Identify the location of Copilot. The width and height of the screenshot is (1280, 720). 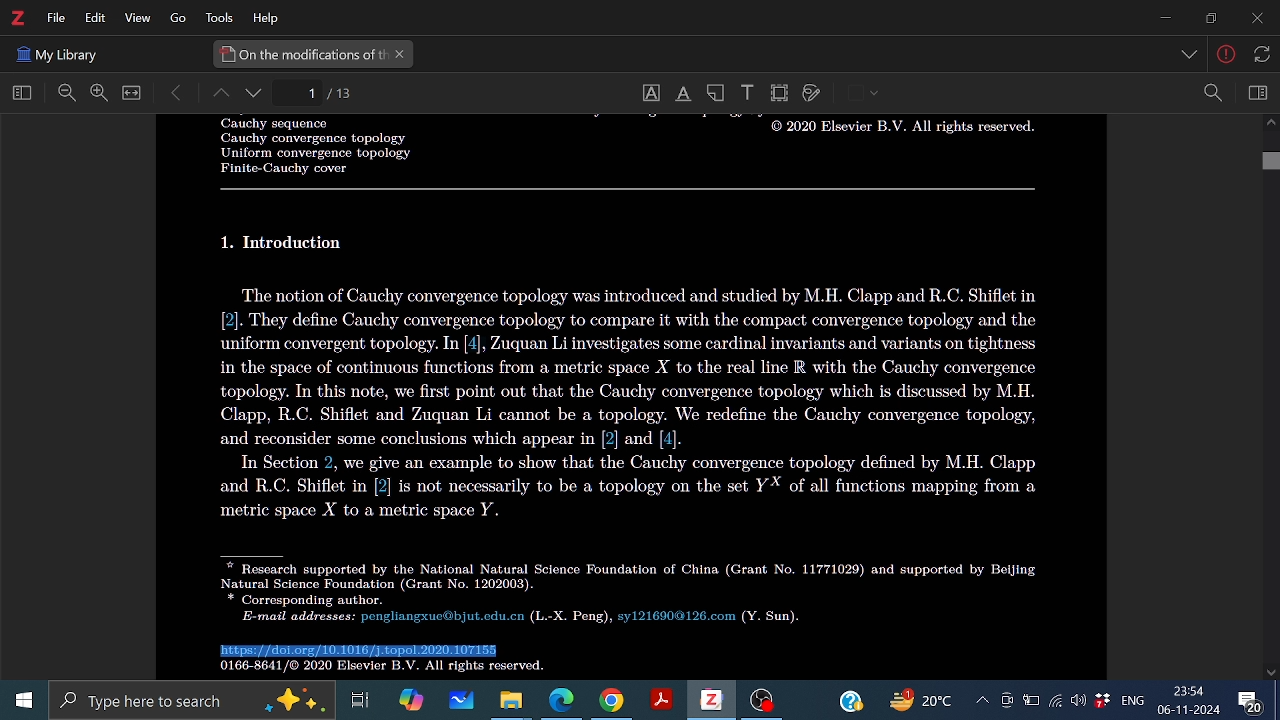
(410, 700).